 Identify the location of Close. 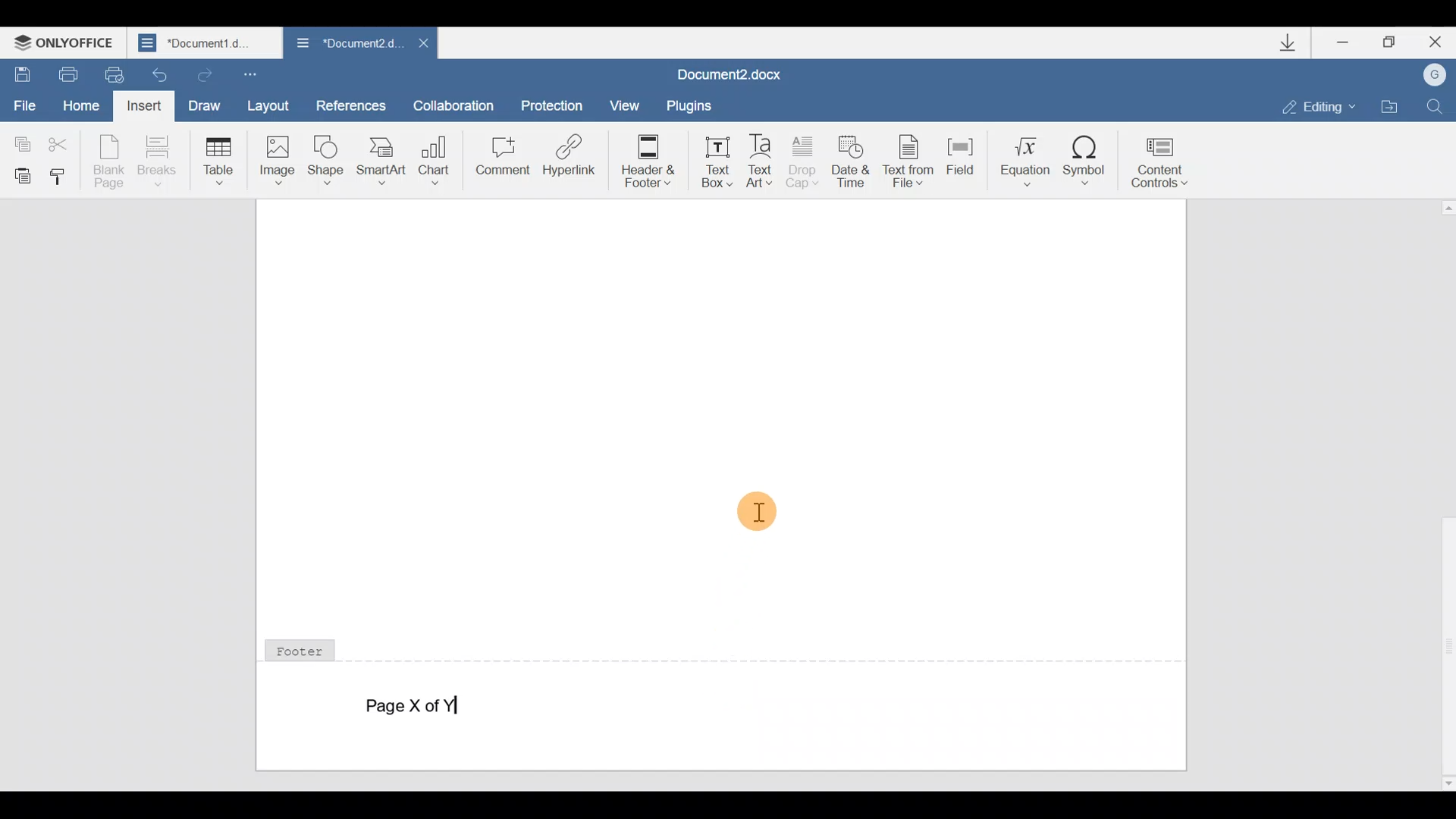
(419, 42).